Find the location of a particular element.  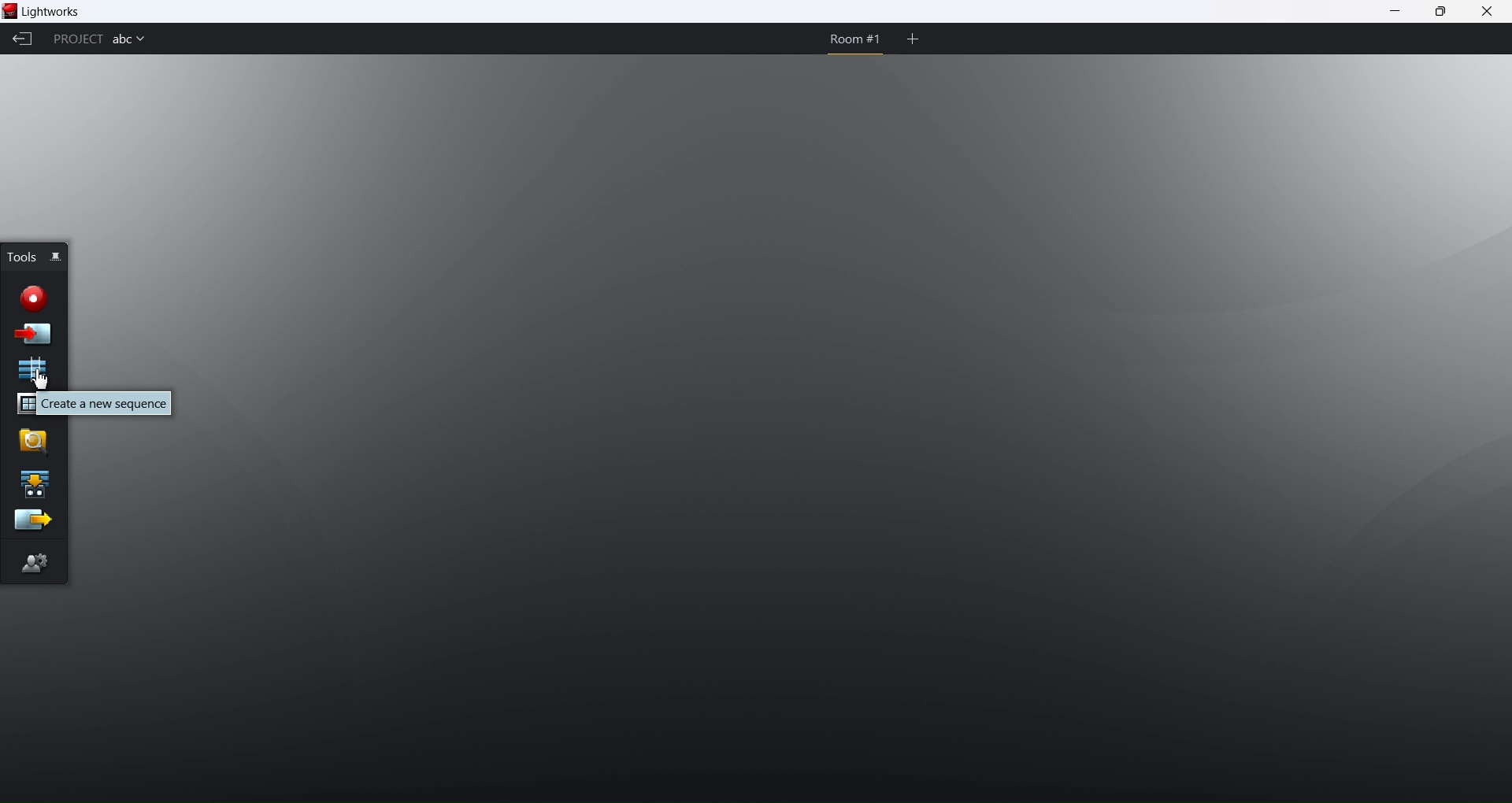

back is located at coordinates (20, 43).